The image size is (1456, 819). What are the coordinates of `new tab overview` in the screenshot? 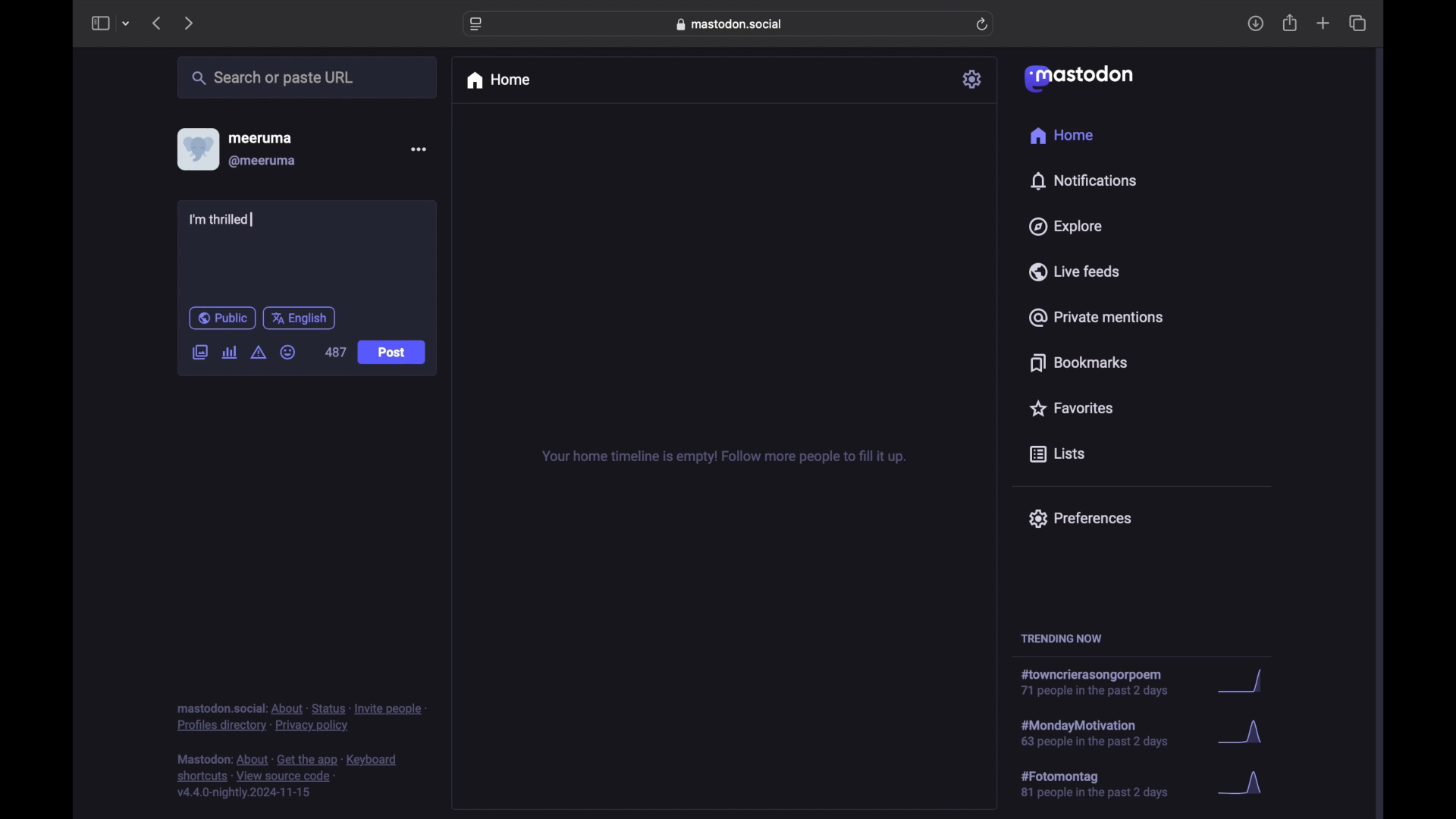 It's located at (1323, 23).